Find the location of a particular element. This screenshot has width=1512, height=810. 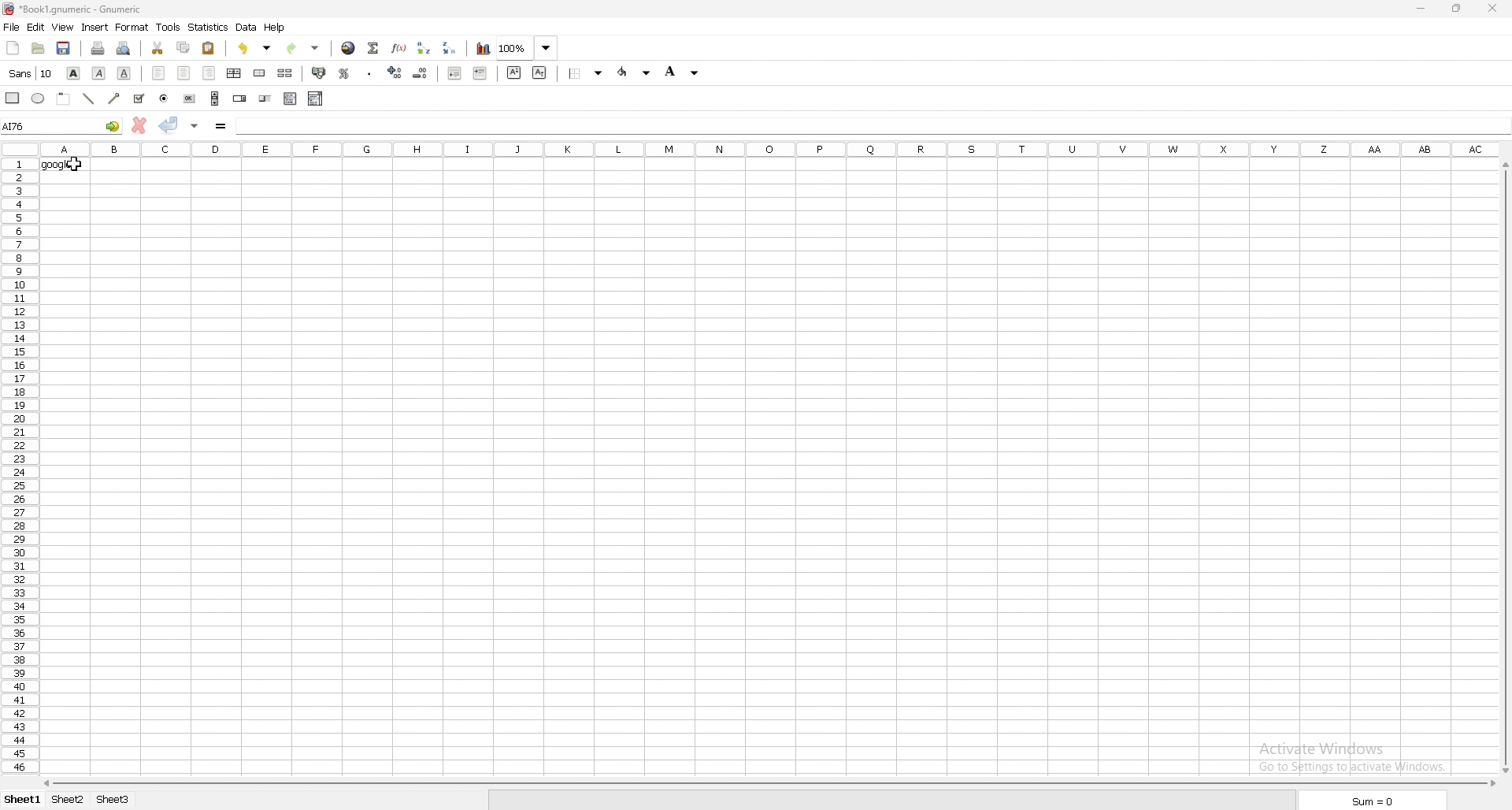

radio button is located at coordinates (168, 98).